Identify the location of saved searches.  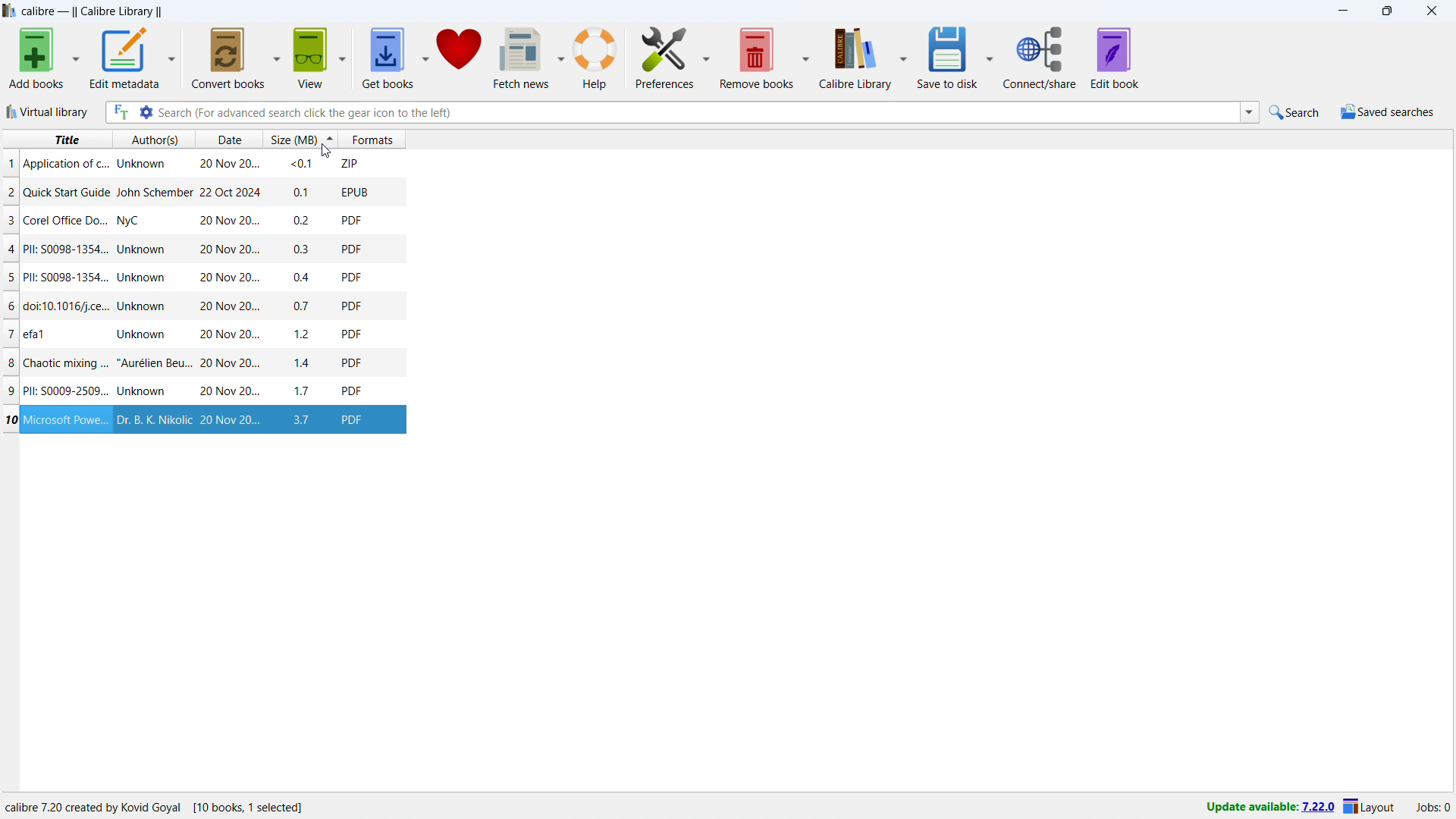
(1386, 111).